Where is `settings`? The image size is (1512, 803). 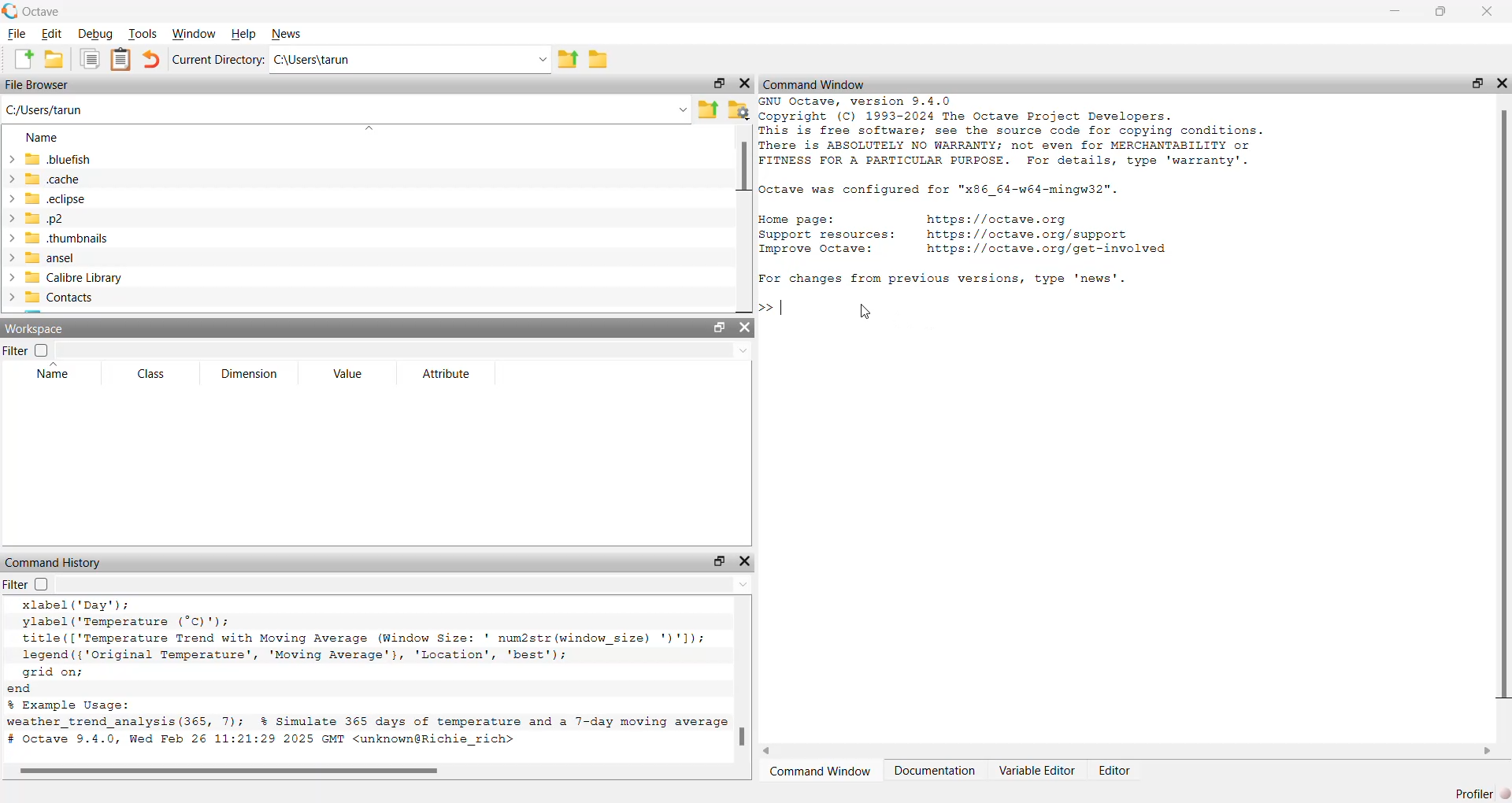 settings is located at coordinates (742, 109).